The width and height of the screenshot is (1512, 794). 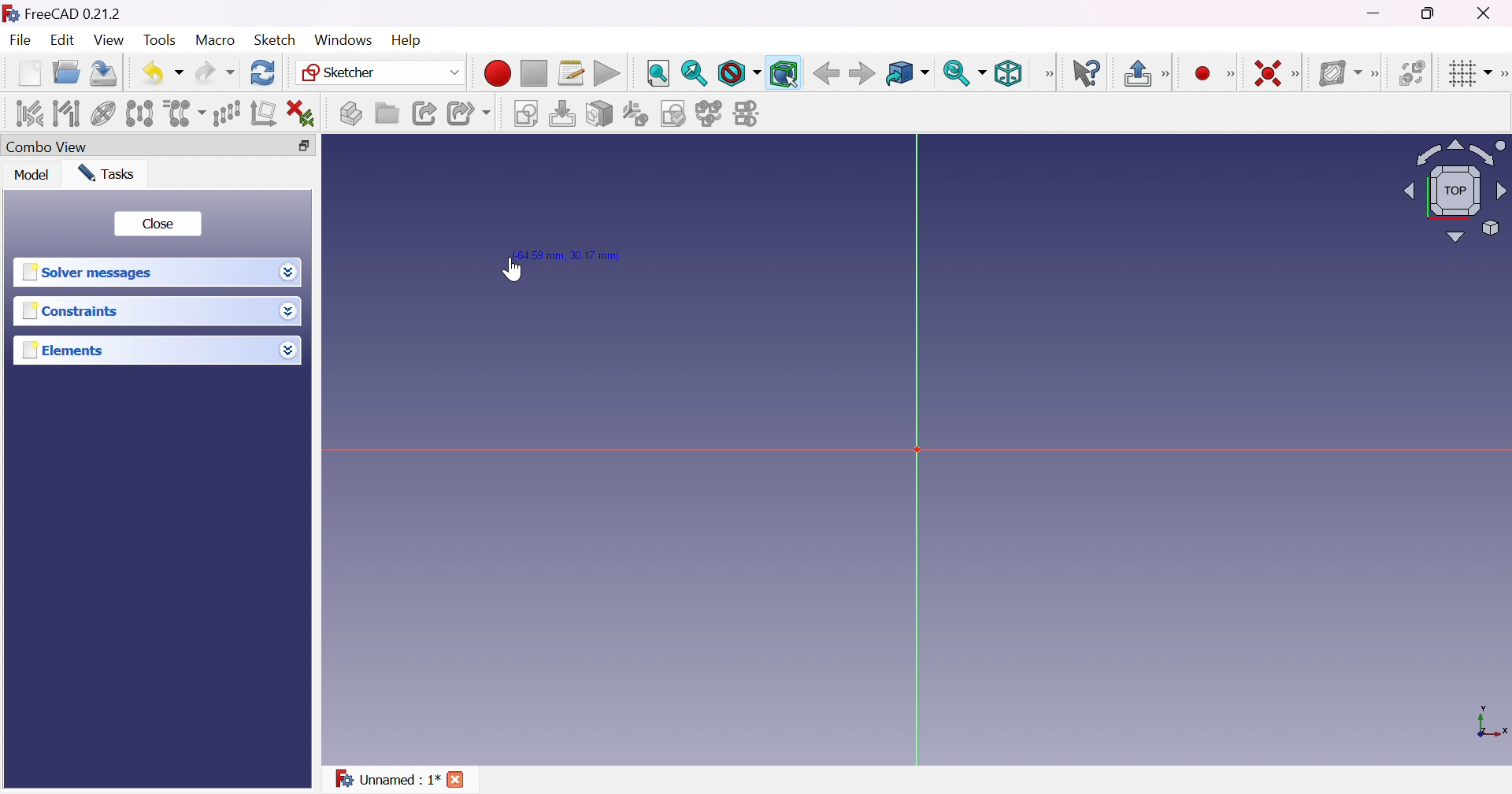 What do you see at coordinates (634, 114) in the screenshot?
I see `Reorient sketch...` at bounding box center [634, 114].